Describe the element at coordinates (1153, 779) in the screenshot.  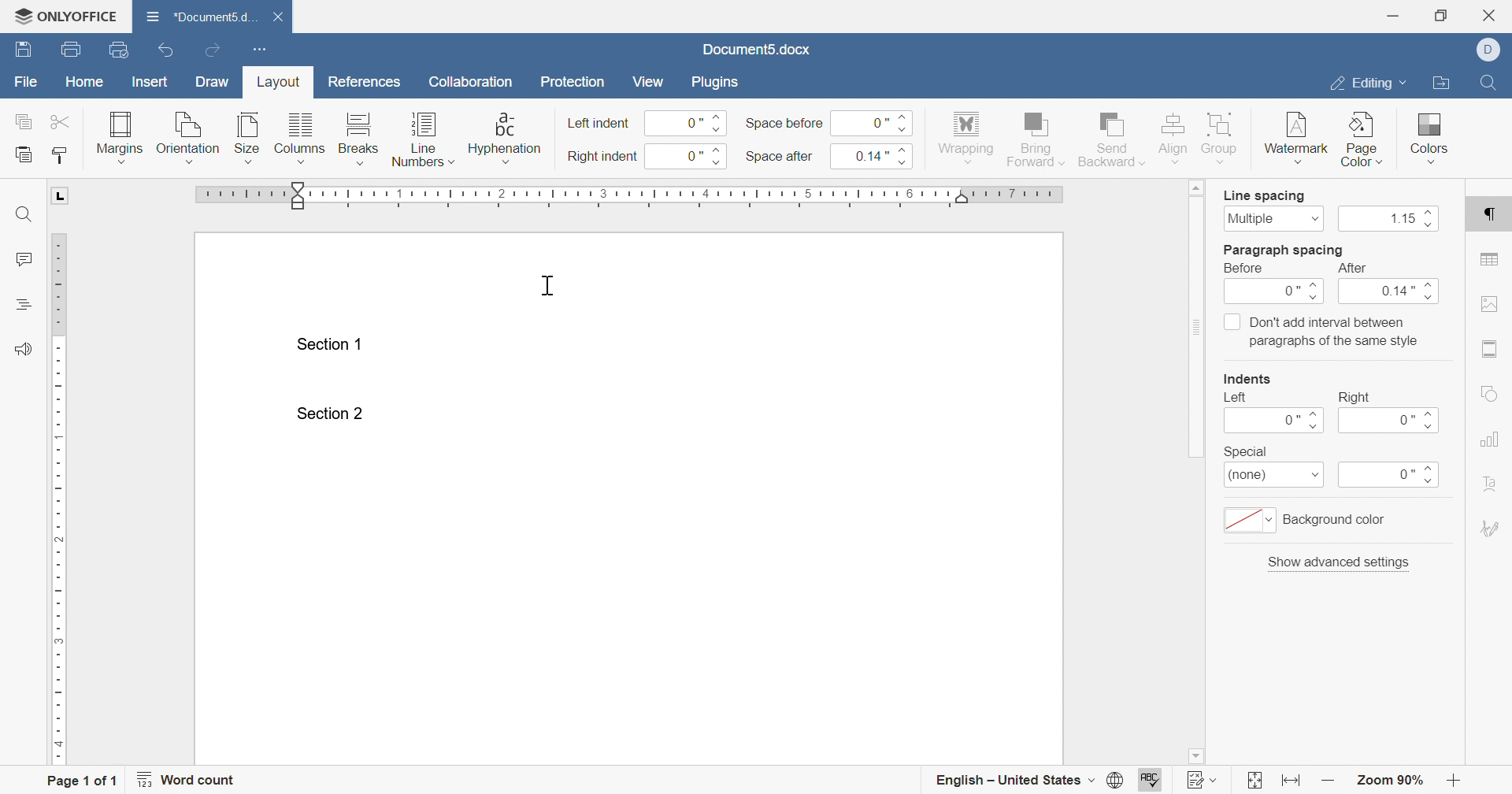
I see `spell checking` at that location.